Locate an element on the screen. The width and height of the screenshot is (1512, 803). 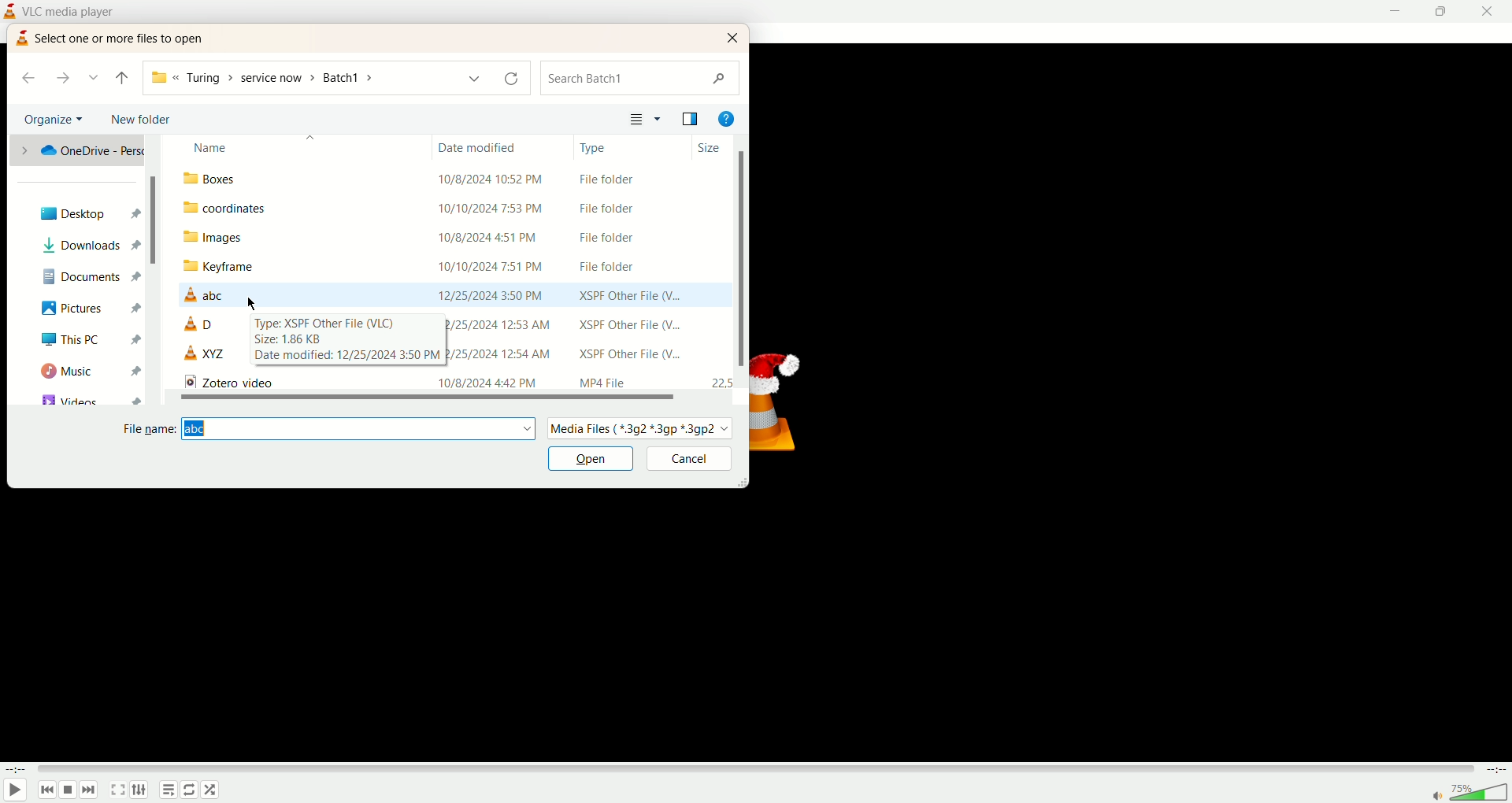
media files (*.3g2 *.3gp *.3gp2) is located at coordinates (641, 429).